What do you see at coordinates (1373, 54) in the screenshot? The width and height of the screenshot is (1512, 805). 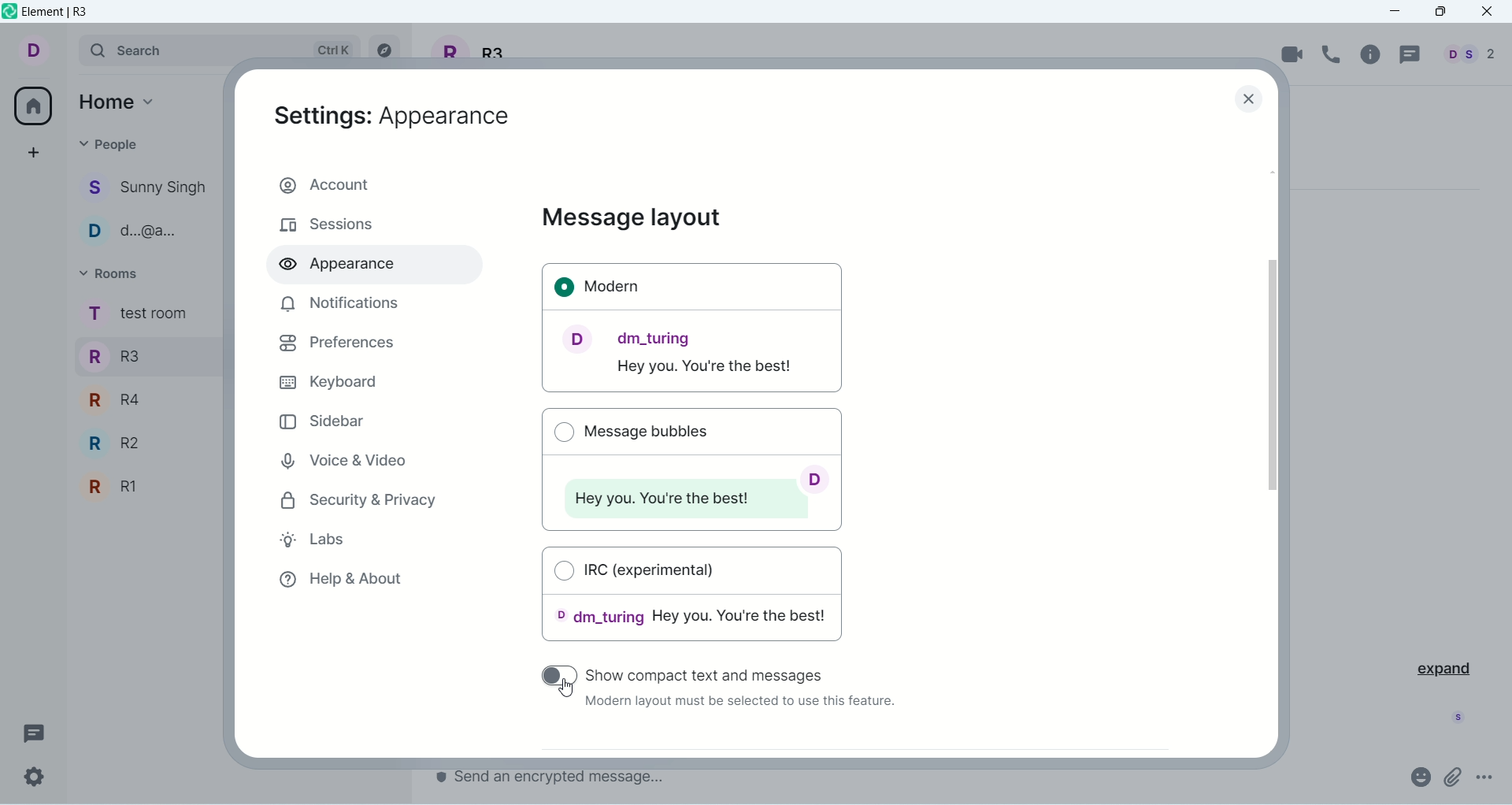 I see `room info` at bounding box center [1373, 54].